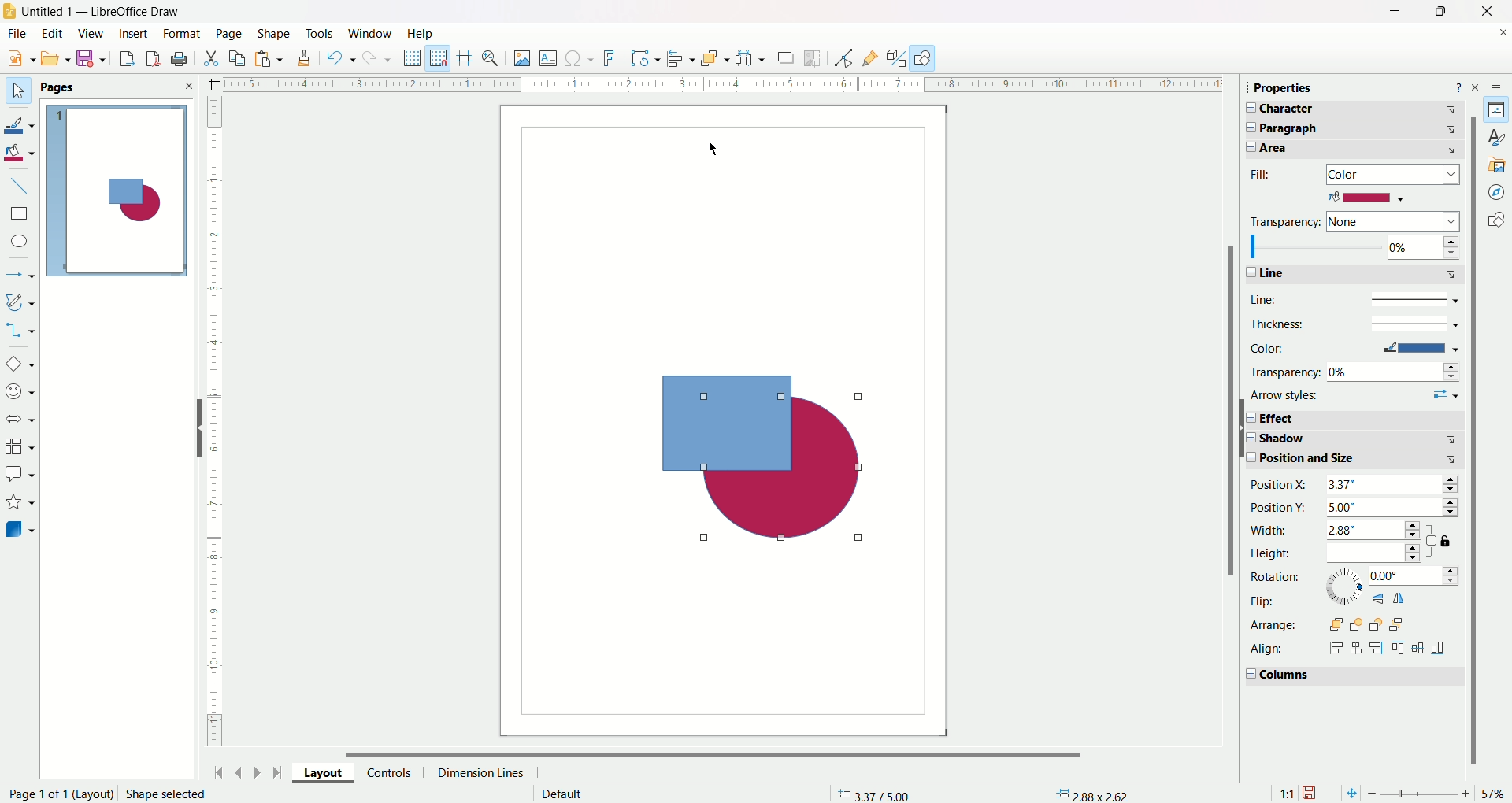 Image resolution: width=1512 pixels, height=803 pixels. Describe the element at coordinates (1392, 13) in the screenshot. I see `minimize` at that location.